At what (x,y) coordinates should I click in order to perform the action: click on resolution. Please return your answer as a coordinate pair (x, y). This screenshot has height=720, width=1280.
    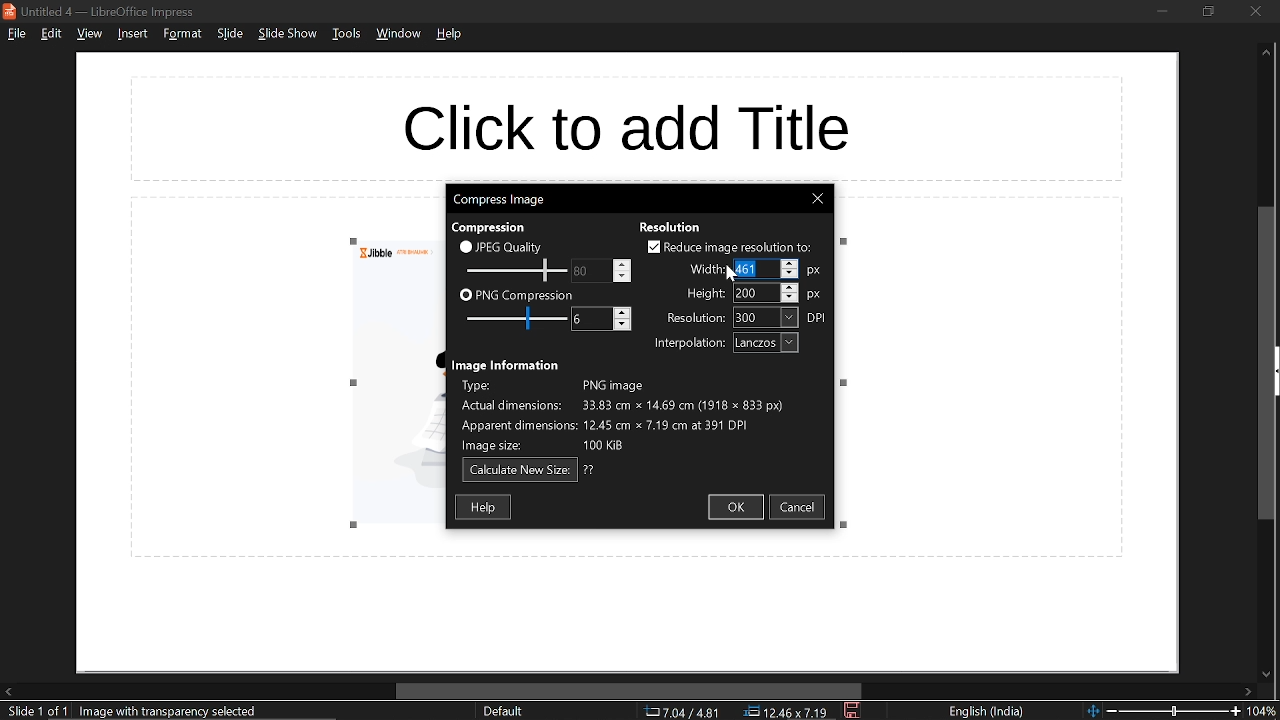
    Looking at the image, I should click on (766, 318).